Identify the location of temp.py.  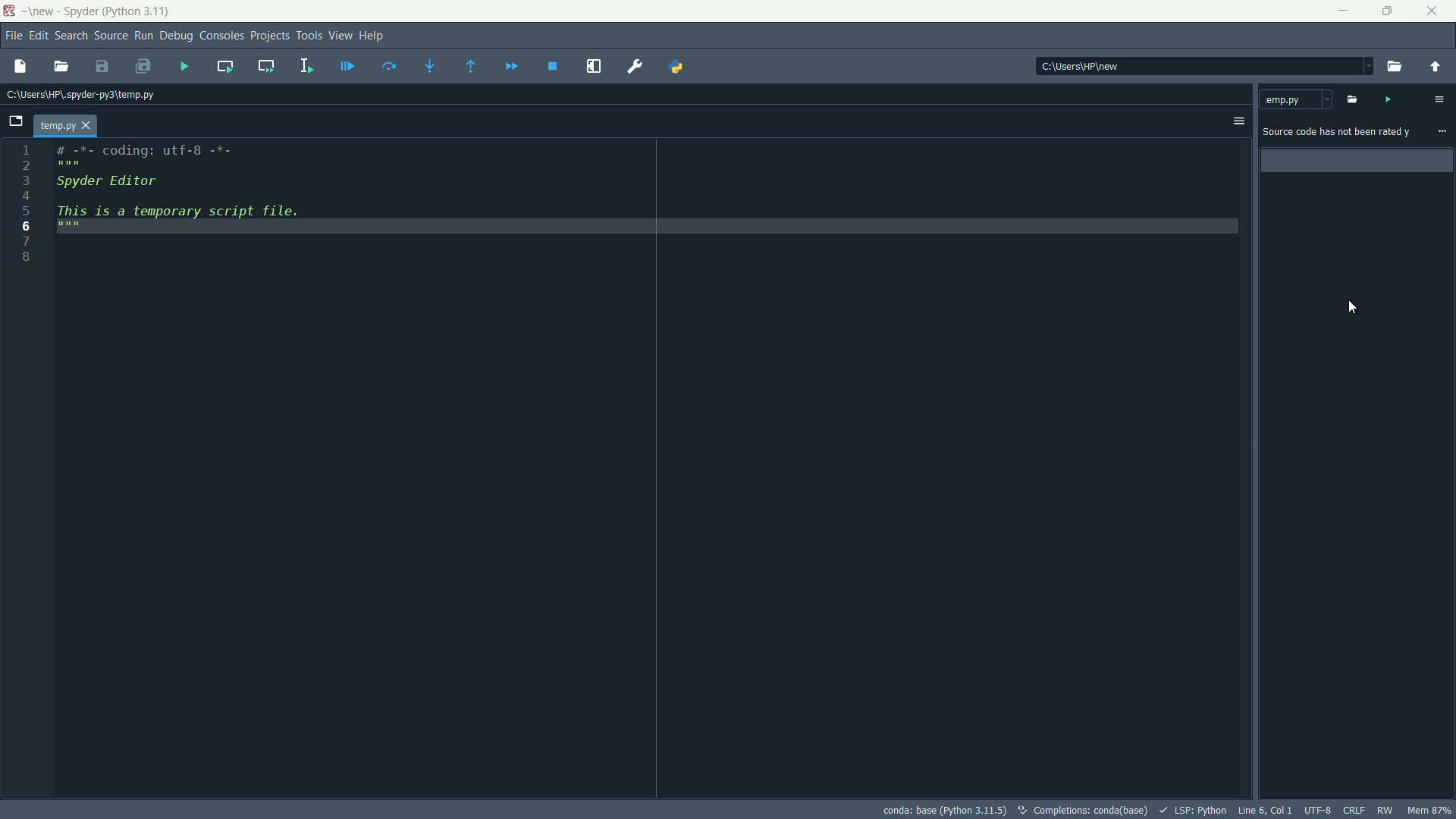
(1296, 99).